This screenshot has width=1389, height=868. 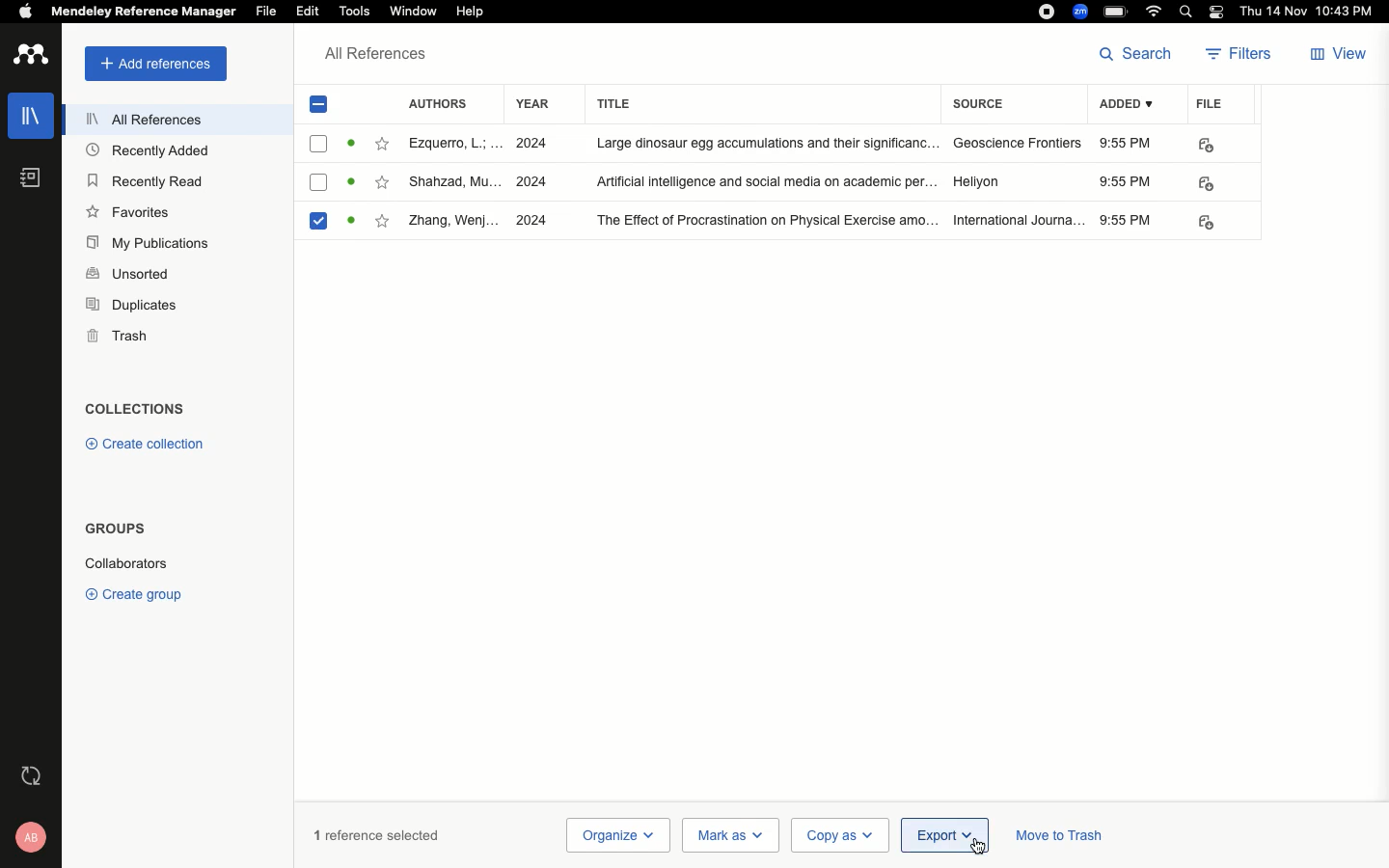 What do you see at coordinates (25, 12) in the screenshot?
I see `Apple logo` at bounding box center [25, 12].